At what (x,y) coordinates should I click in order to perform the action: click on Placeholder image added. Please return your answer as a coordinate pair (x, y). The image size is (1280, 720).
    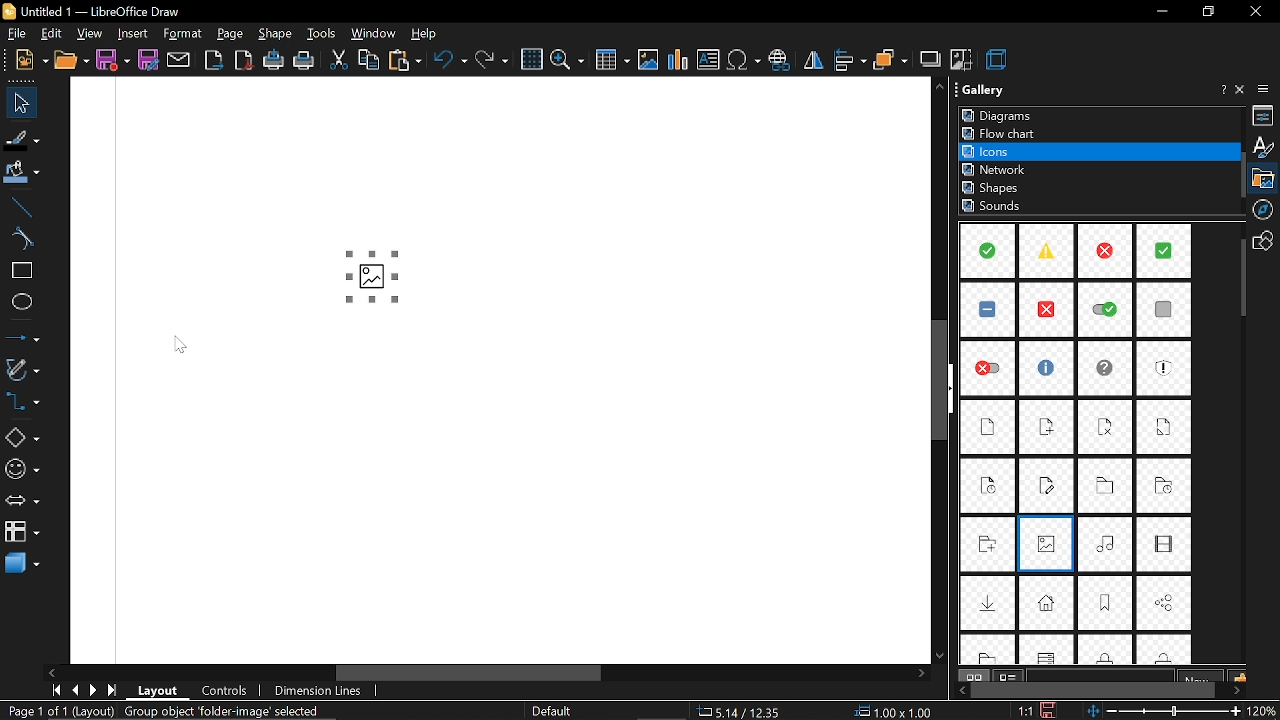
    Looking at the image, I should click on (373, 272).